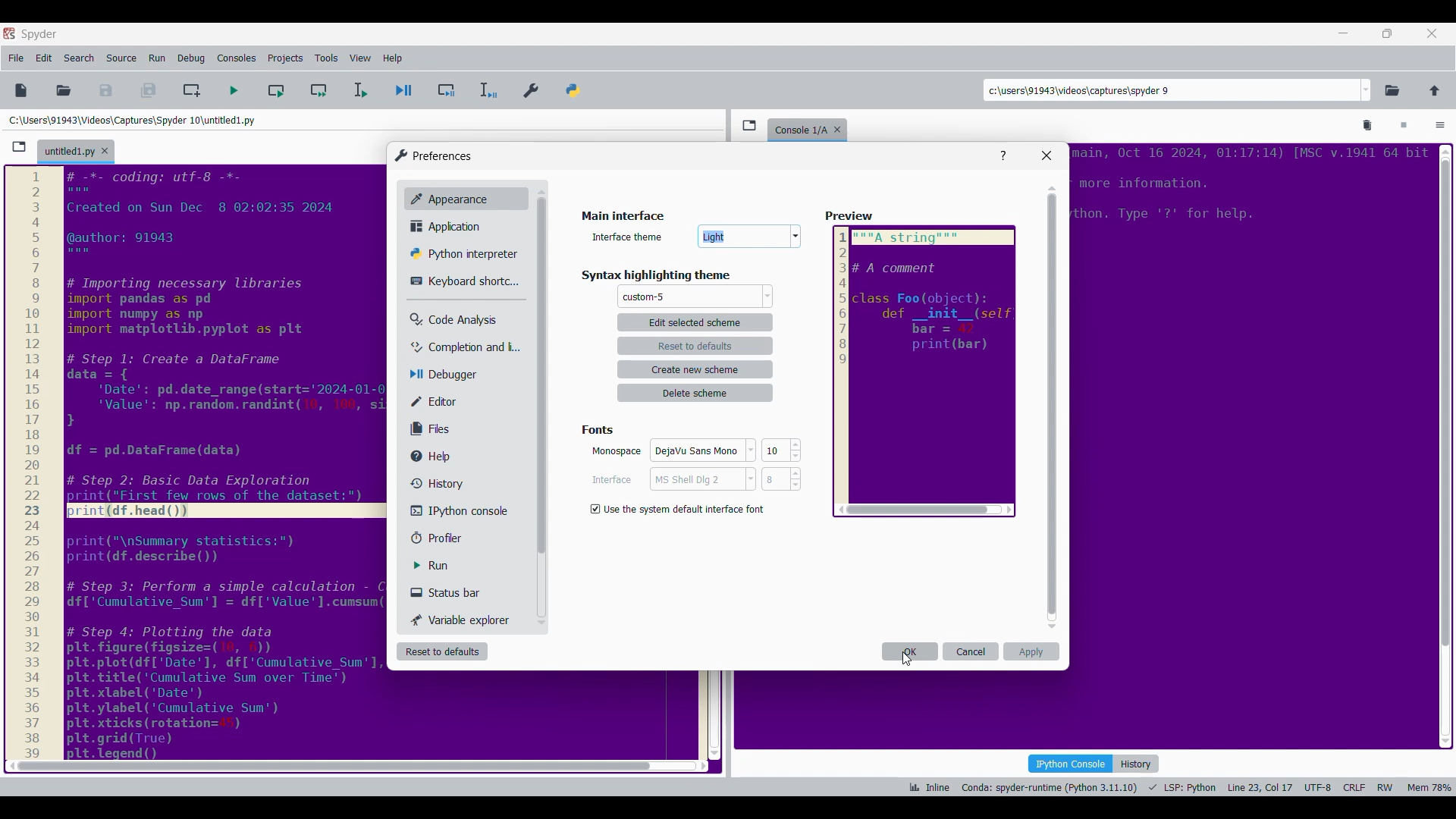 The height and width of the screenshot is (819, 1456). What do you see at coordinates (404, 91) in the screenshot?
I see `Debug file` at bounding box center [404, 91].